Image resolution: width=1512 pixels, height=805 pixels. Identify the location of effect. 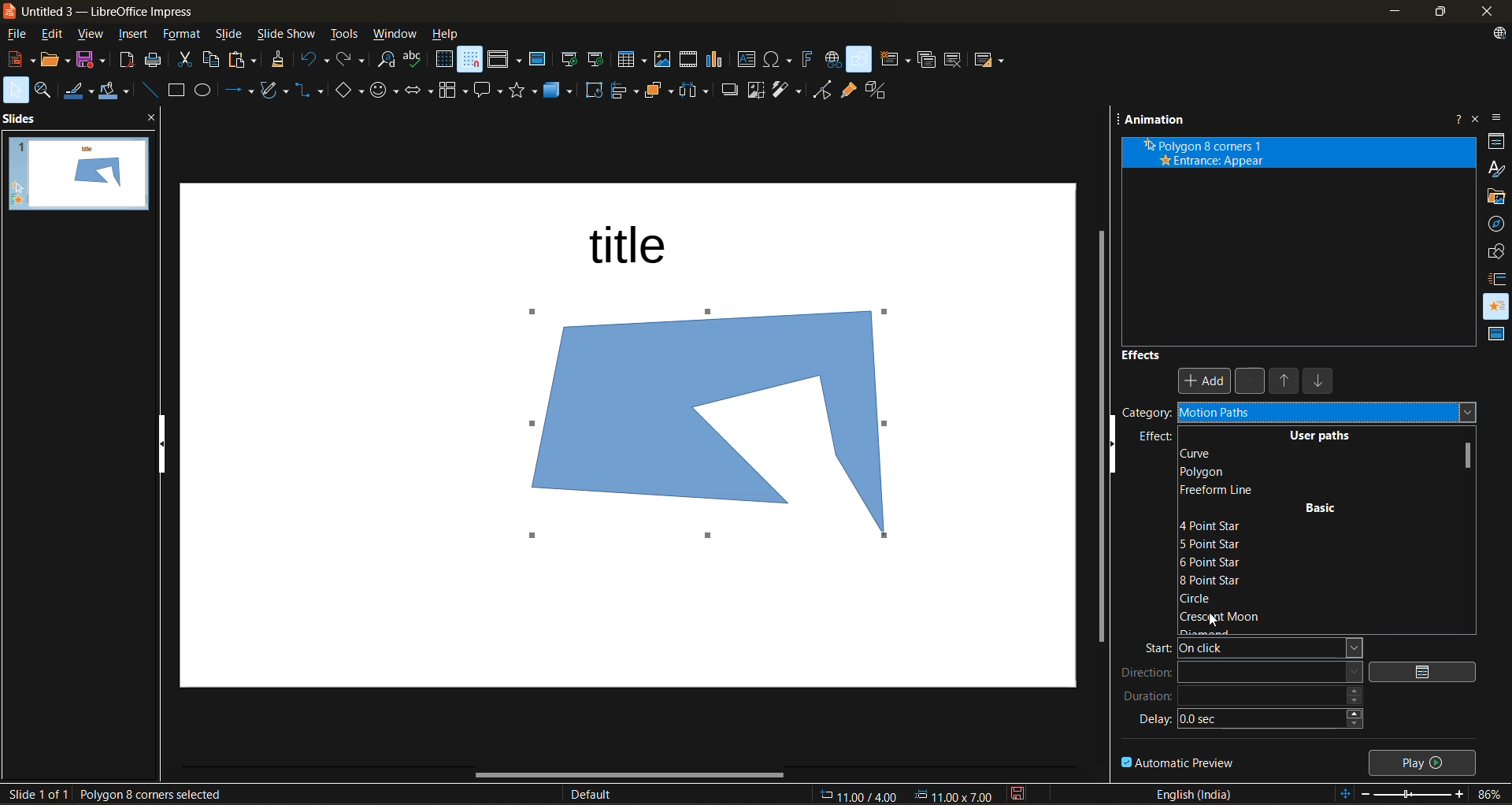
(1152, 439).